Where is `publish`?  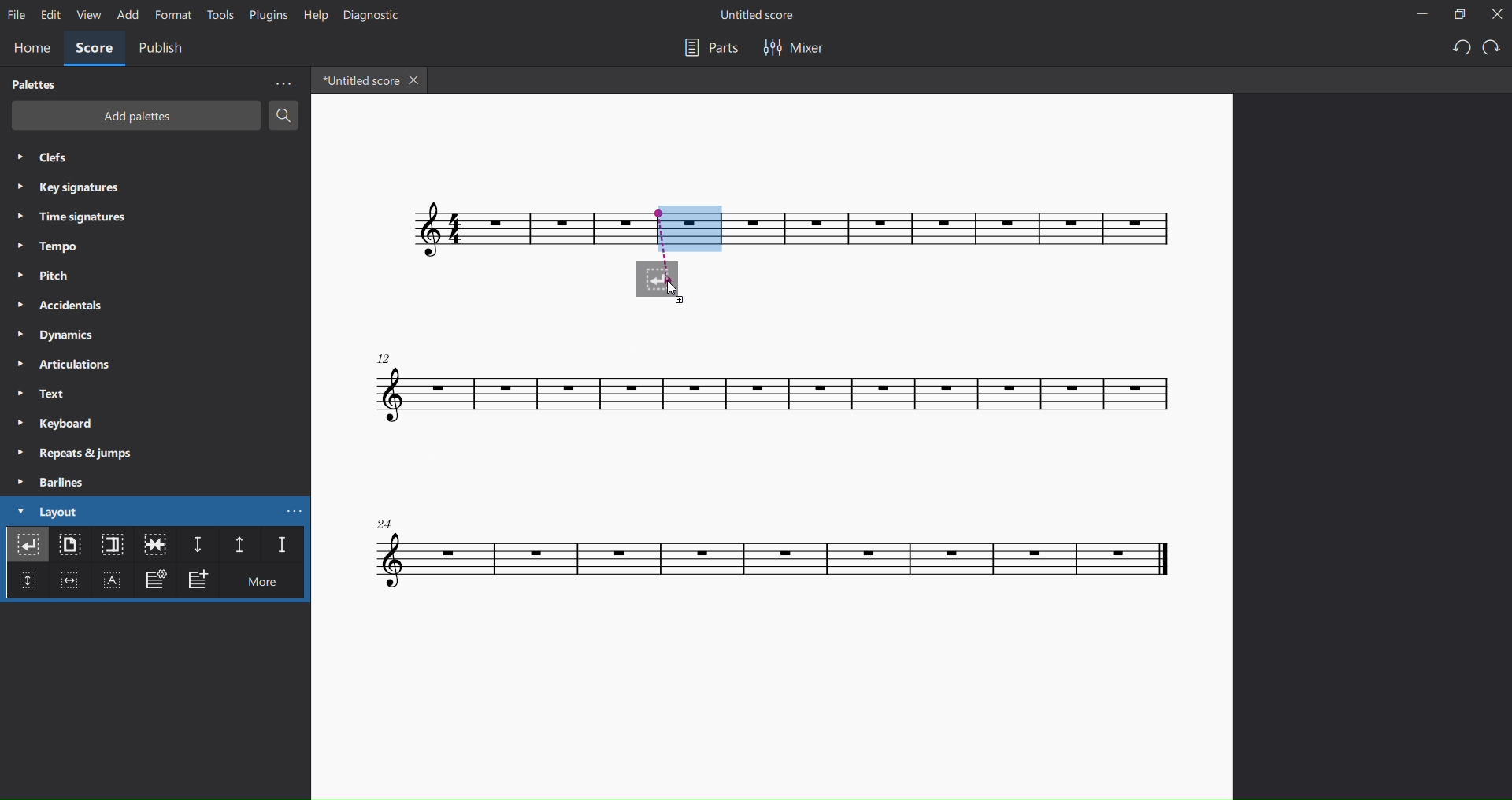 publish is located at coordinates (163, 48).